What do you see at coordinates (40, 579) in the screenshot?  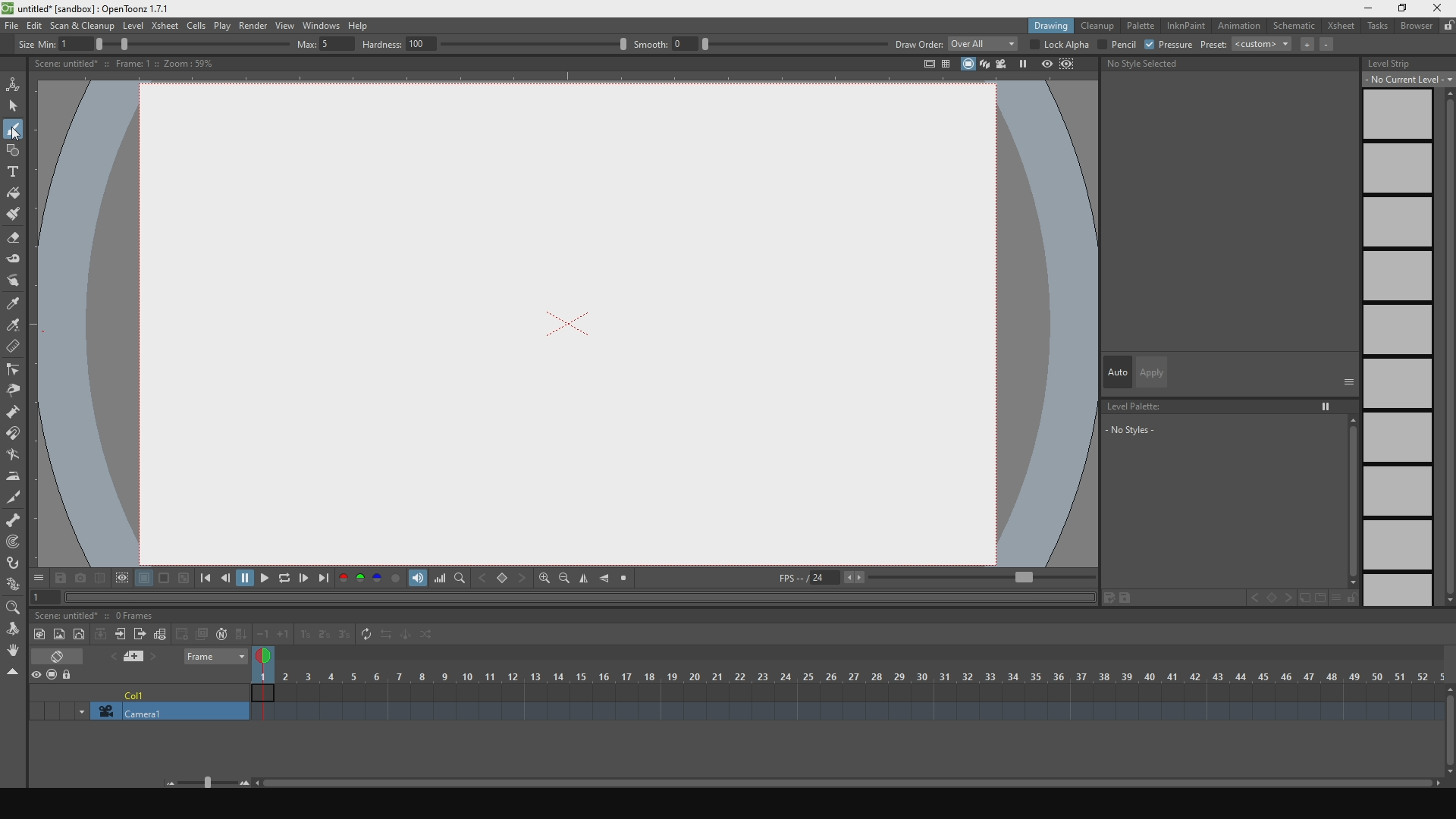 I see `options` at bounding box center [40, 579].